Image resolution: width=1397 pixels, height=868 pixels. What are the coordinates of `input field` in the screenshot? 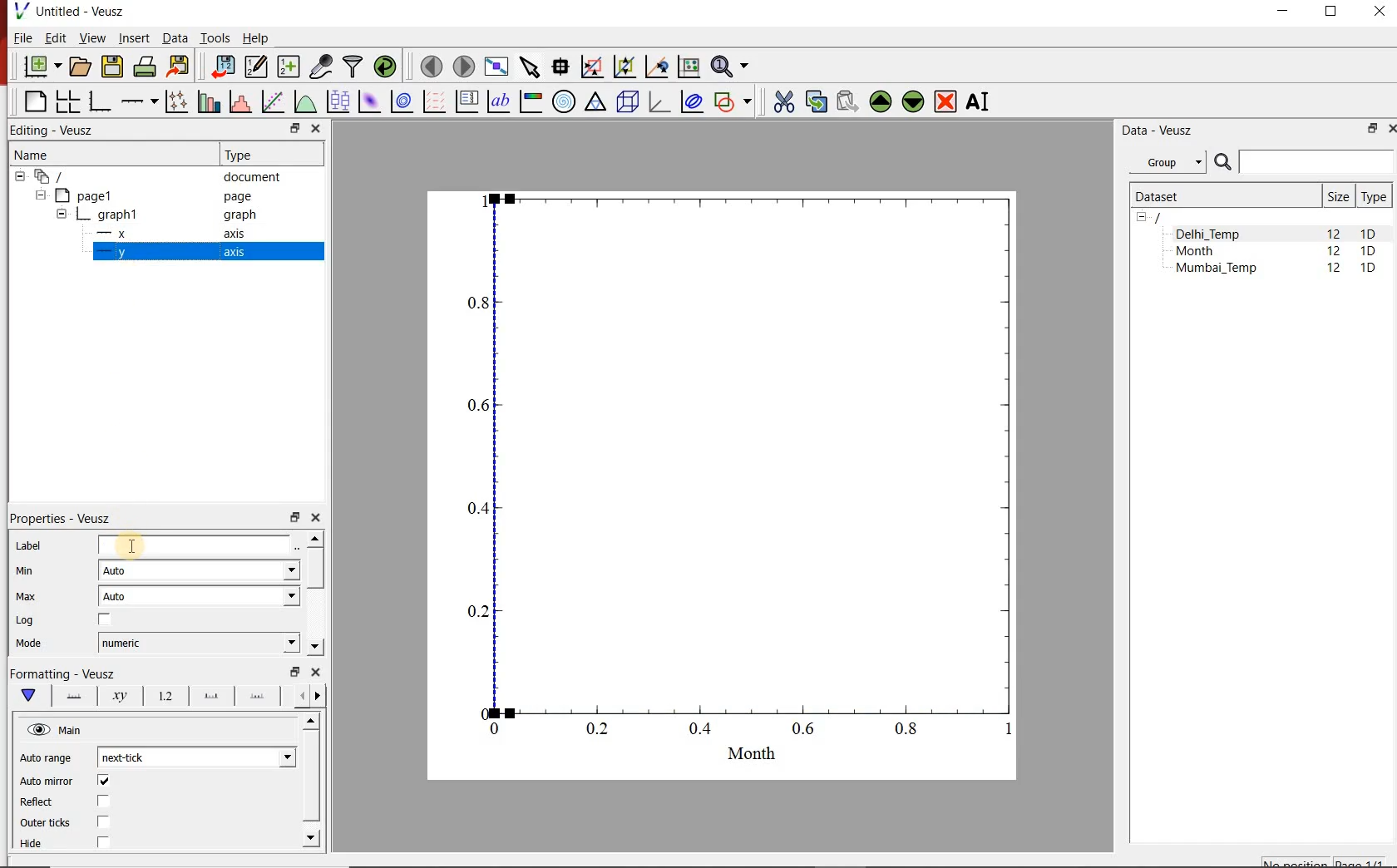 It's located at (200, 546).